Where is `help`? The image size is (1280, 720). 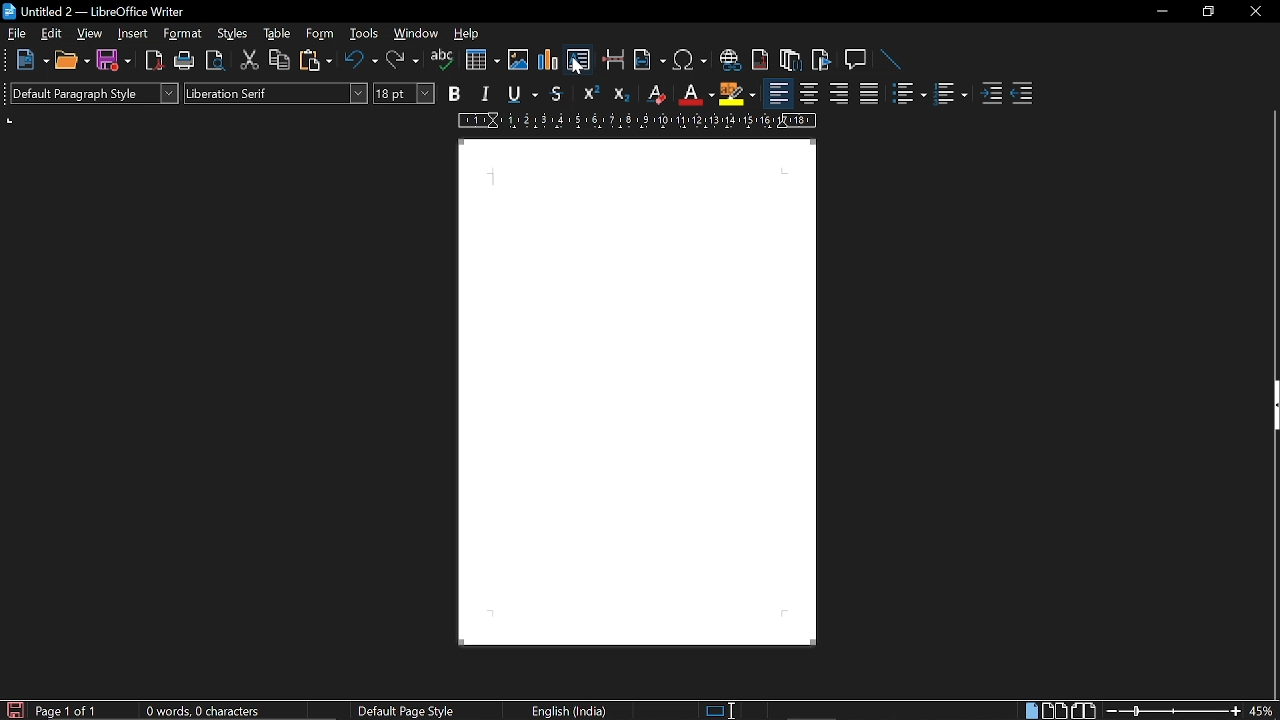
help is located at coordinates (469, 37).